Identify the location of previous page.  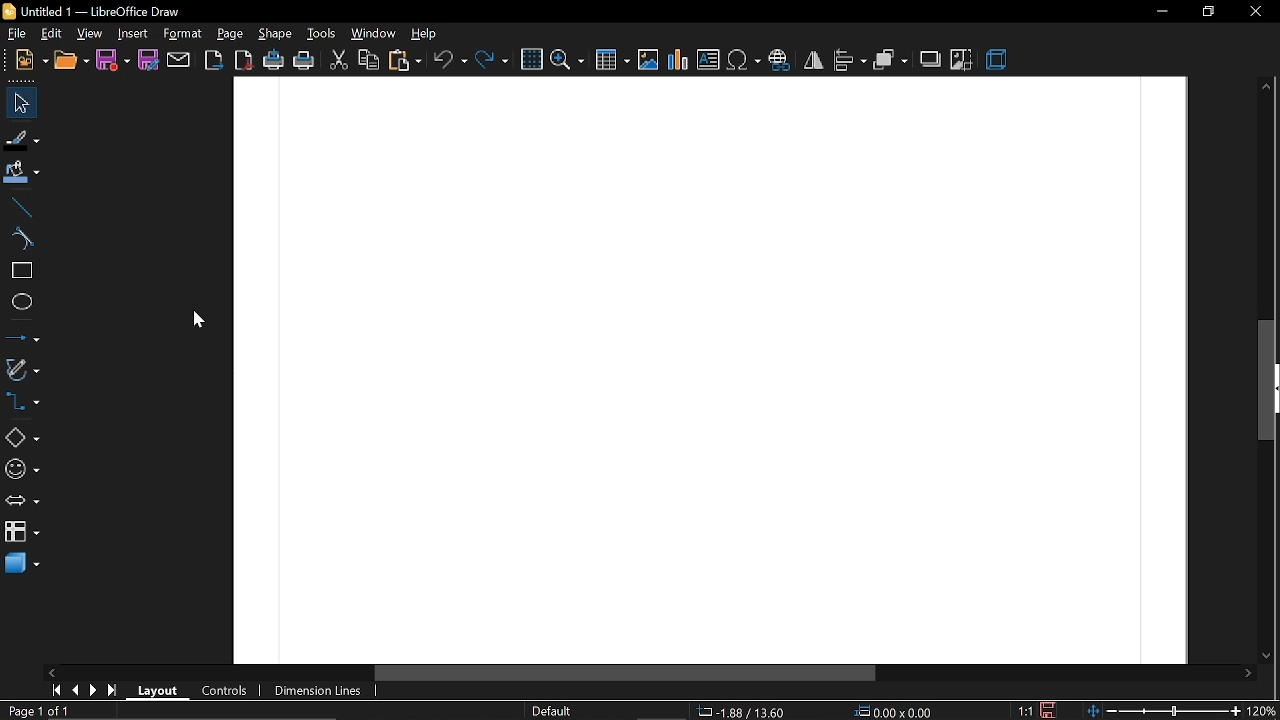
(74, 690).